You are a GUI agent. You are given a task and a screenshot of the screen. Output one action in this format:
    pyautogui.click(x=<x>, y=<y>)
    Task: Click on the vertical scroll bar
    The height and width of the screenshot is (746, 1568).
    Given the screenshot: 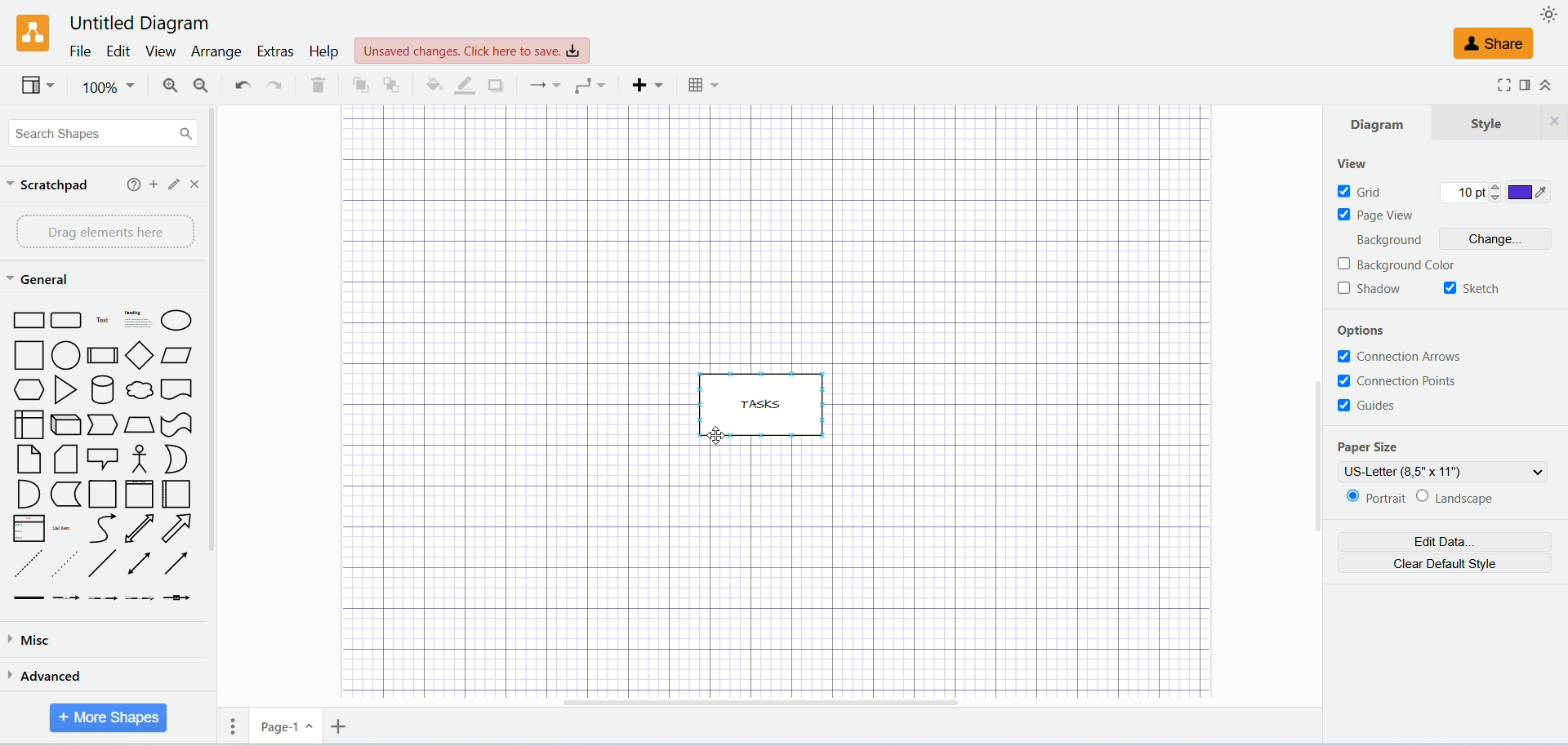 What is the action you would take?
    pyautogui.click(x=1317, y=413)
    